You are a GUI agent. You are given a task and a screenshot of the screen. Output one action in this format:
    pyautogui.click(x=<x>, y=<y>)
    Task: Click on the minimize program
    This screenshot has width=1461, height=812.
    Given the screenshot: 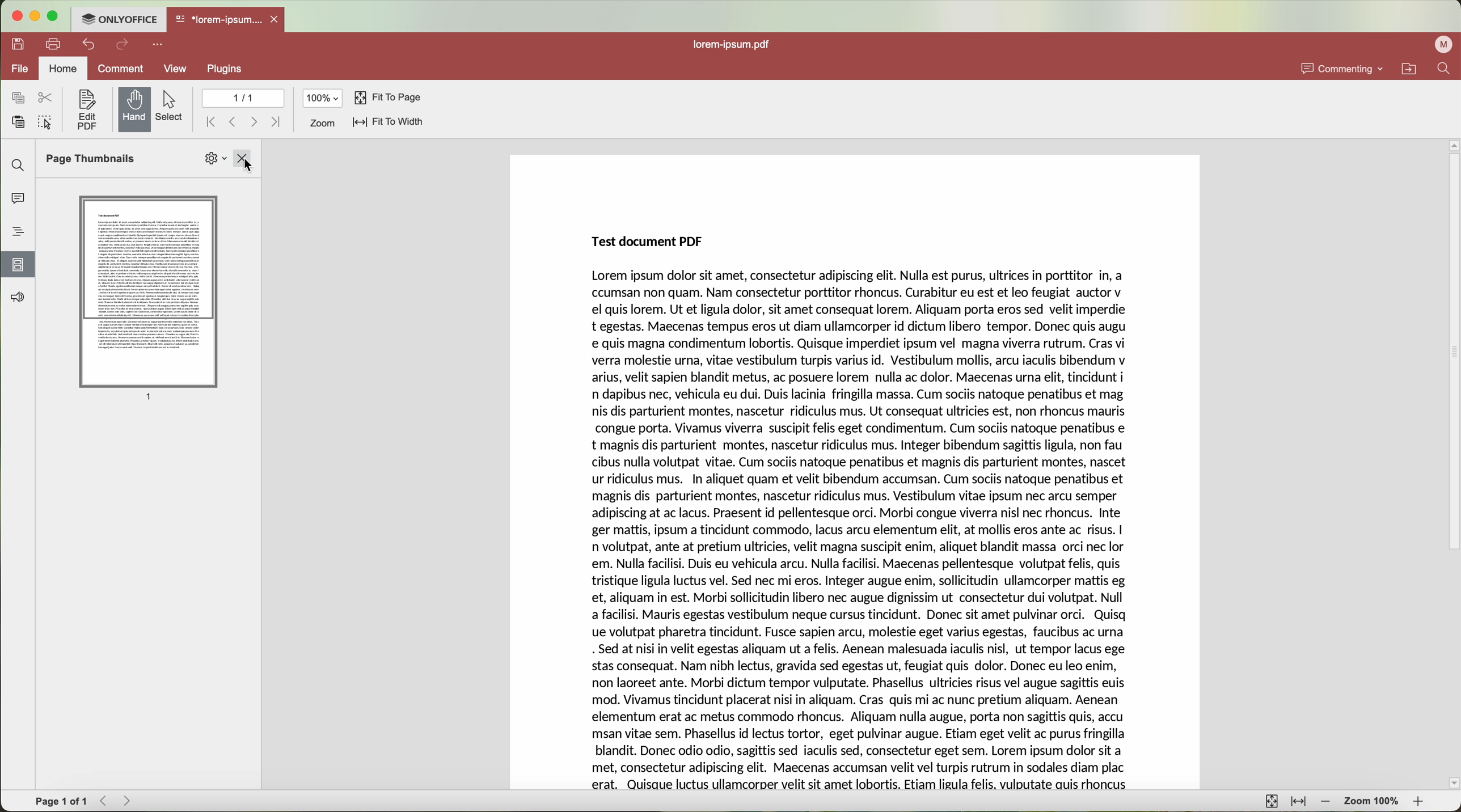 What is the action you would take?
    pyautogui.click(x=33, y=16)
    